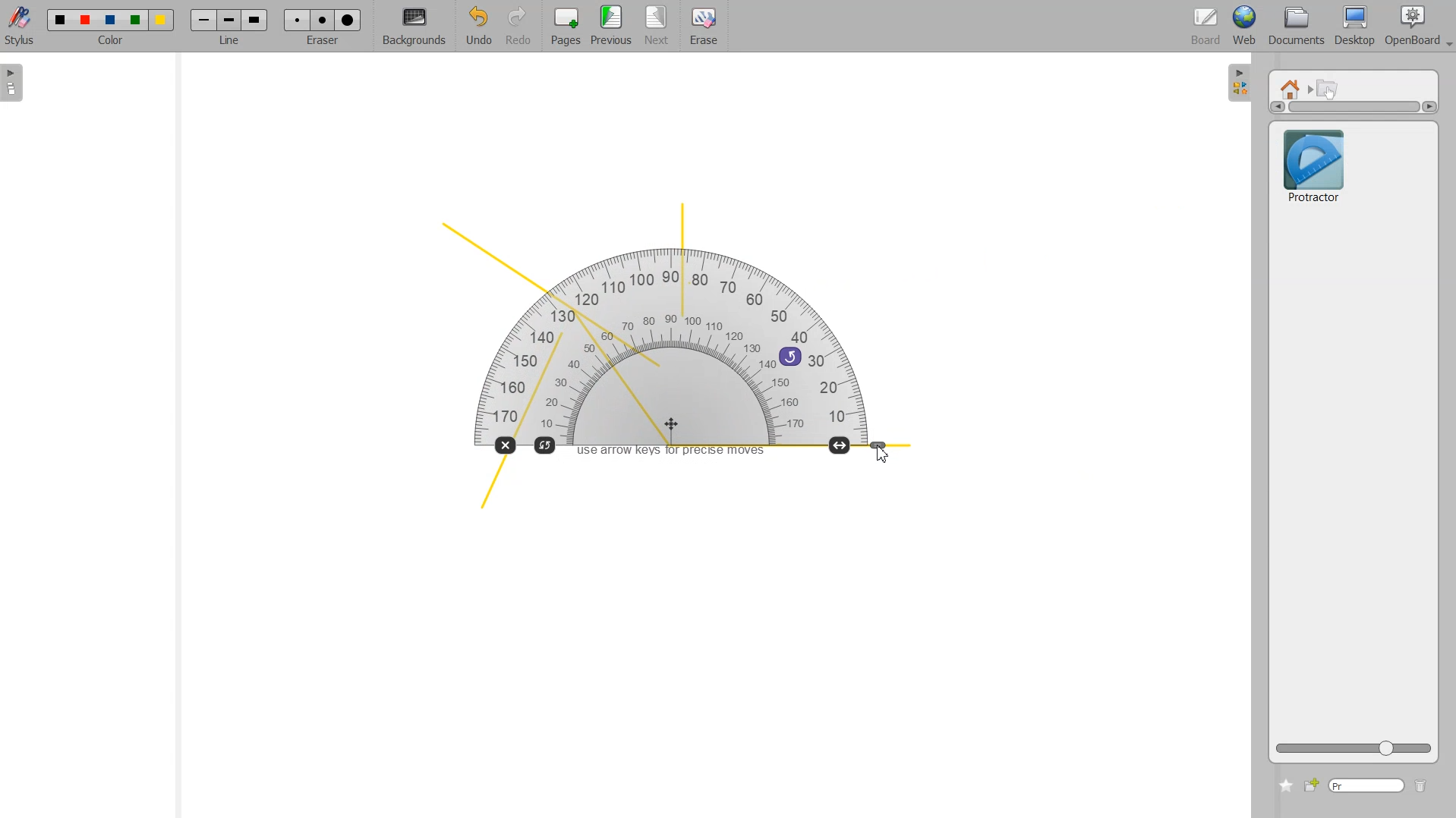 The height and width of the screenshot is (818, 1456). Describe the element at coordinates (232, 42) in the screenshot. I see `line` at that location.